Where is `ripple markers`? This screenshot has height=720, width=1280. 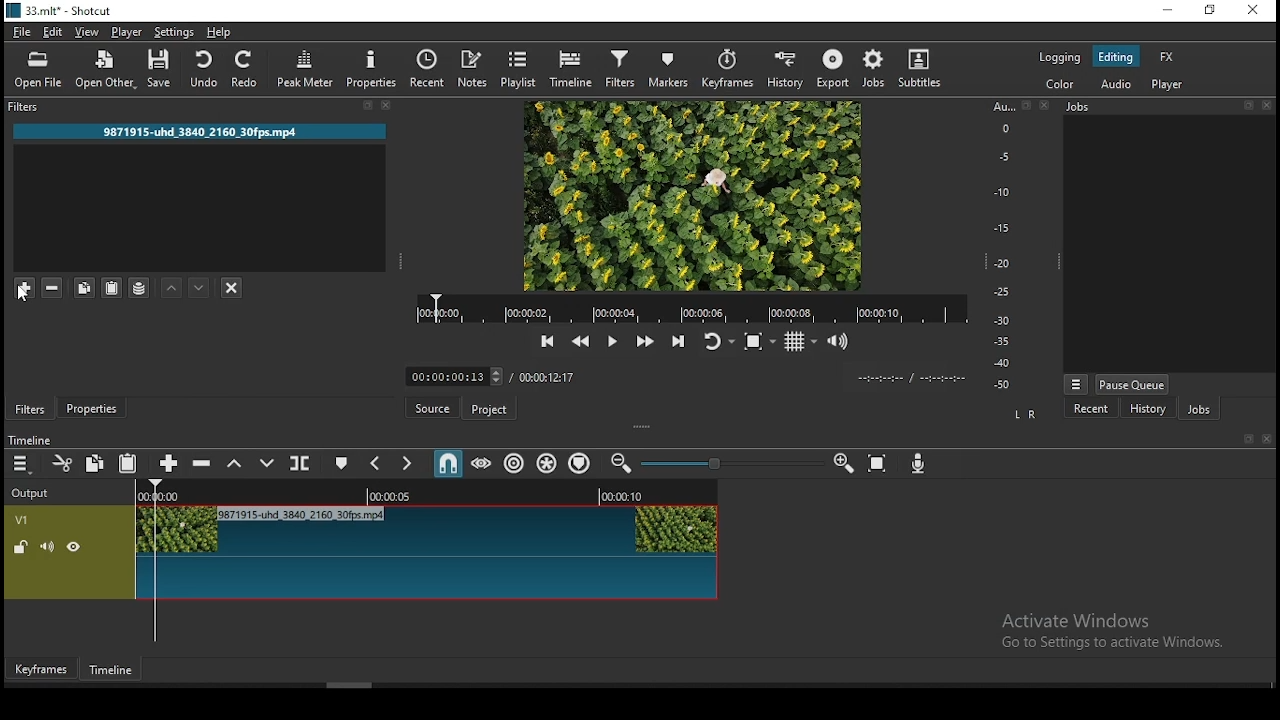
ripple markers is located at coordinates (580, 464).